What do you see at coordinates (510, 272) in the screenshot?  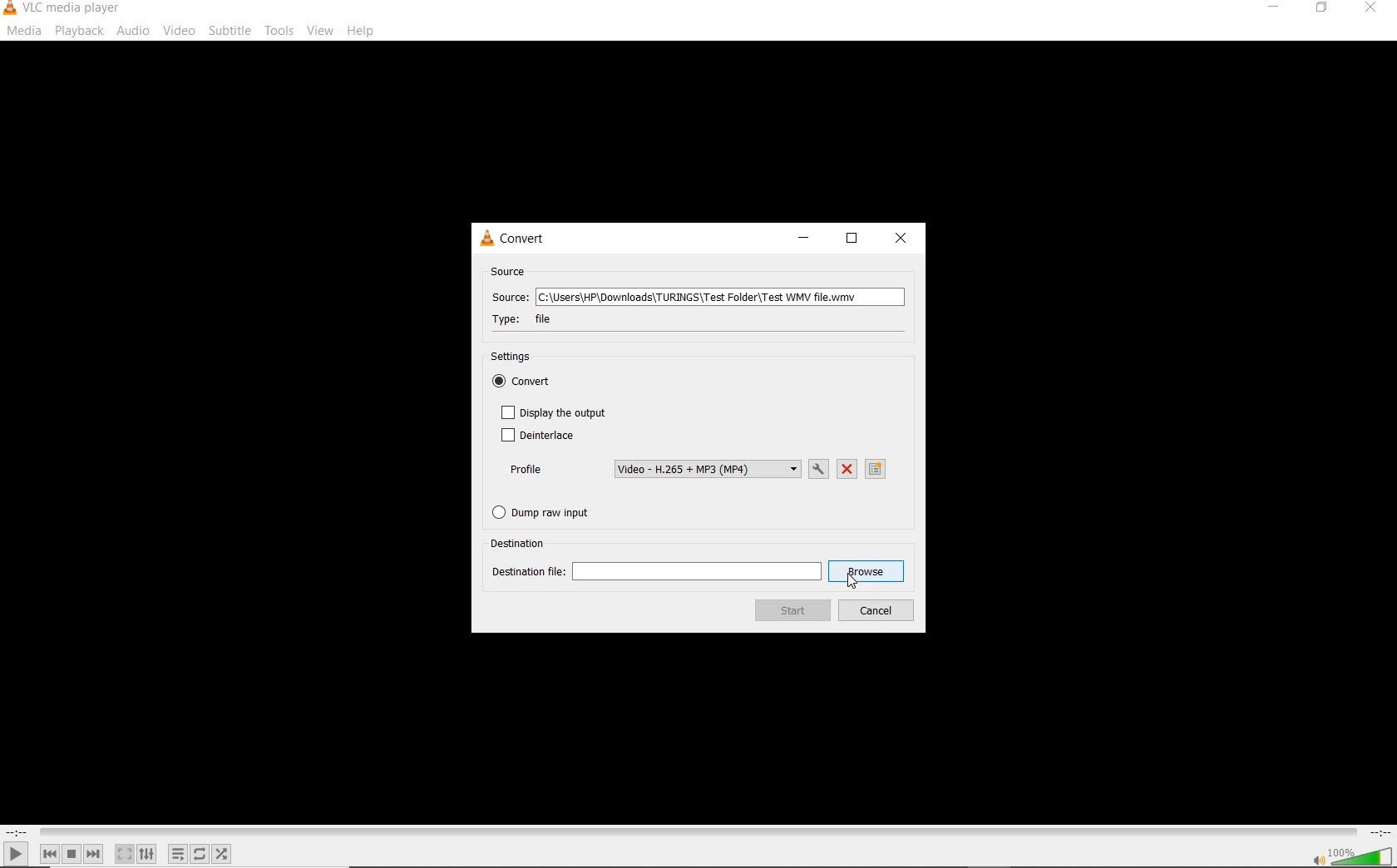 I see `SOURCE` at bounding box center [510, 272].